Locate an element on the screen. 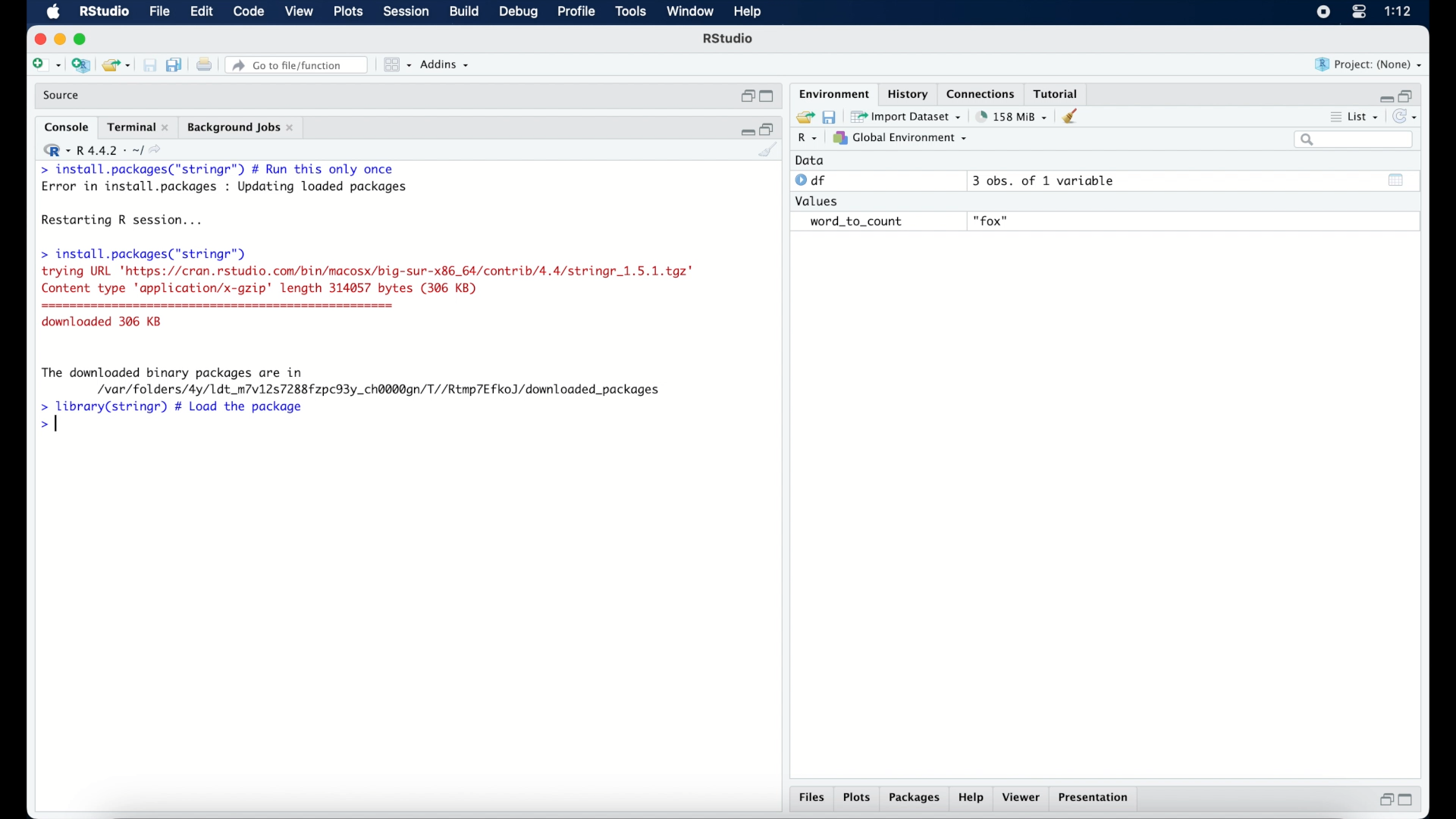  df is located at coordinates (813, 180).